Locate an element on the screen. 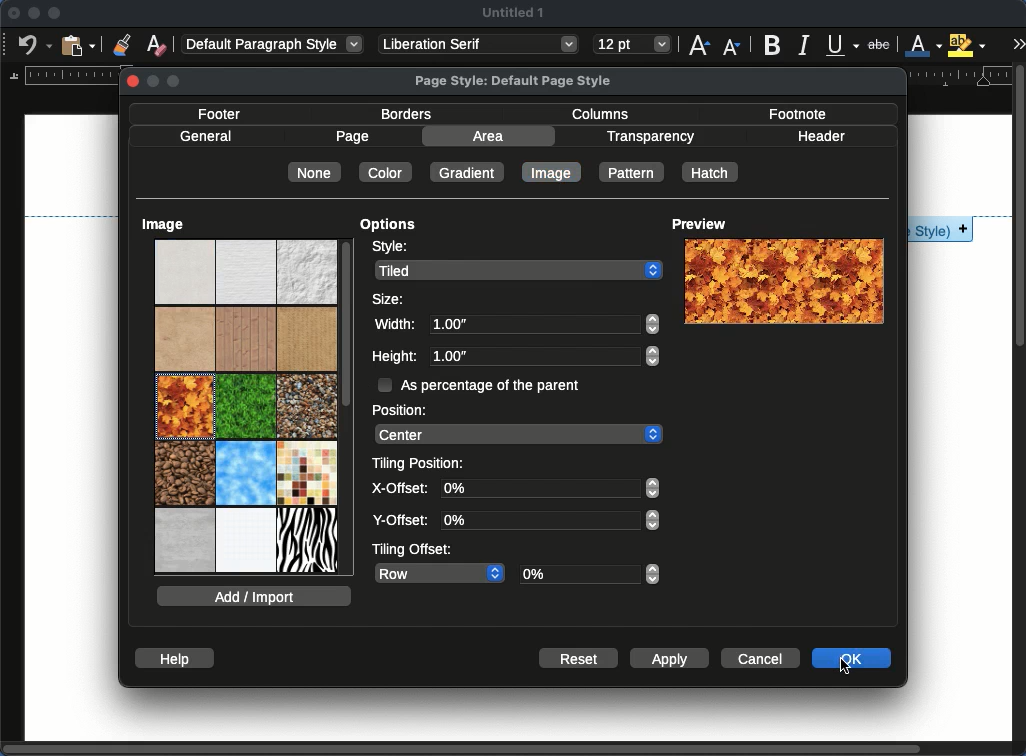 This screenshot has width=1026, height=756. preview is located at coordinates (702, 224).